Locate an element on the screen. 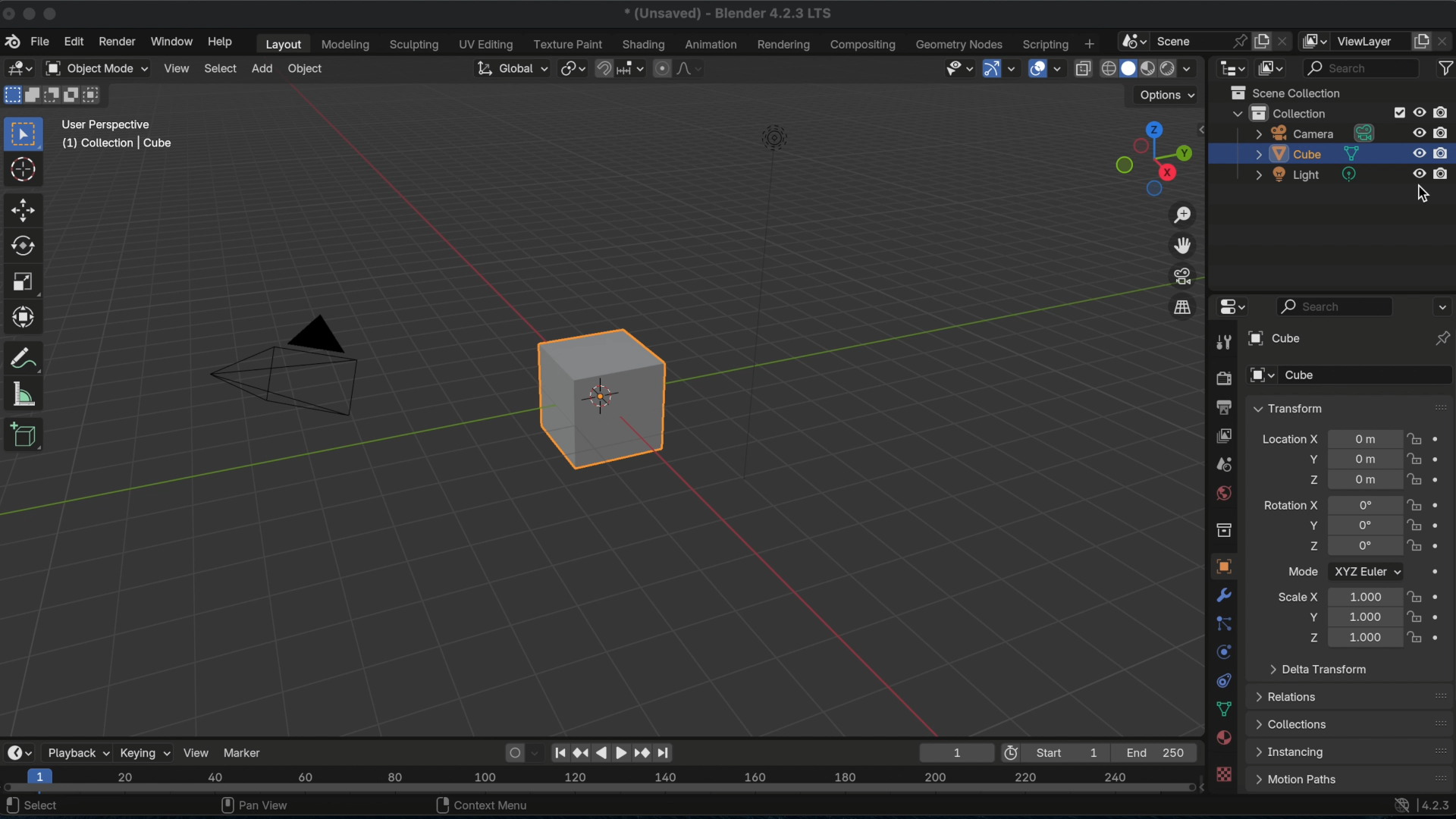 This screenshot has width=1456, height=819. shading dropdown is located at coordinates (1181, 67).